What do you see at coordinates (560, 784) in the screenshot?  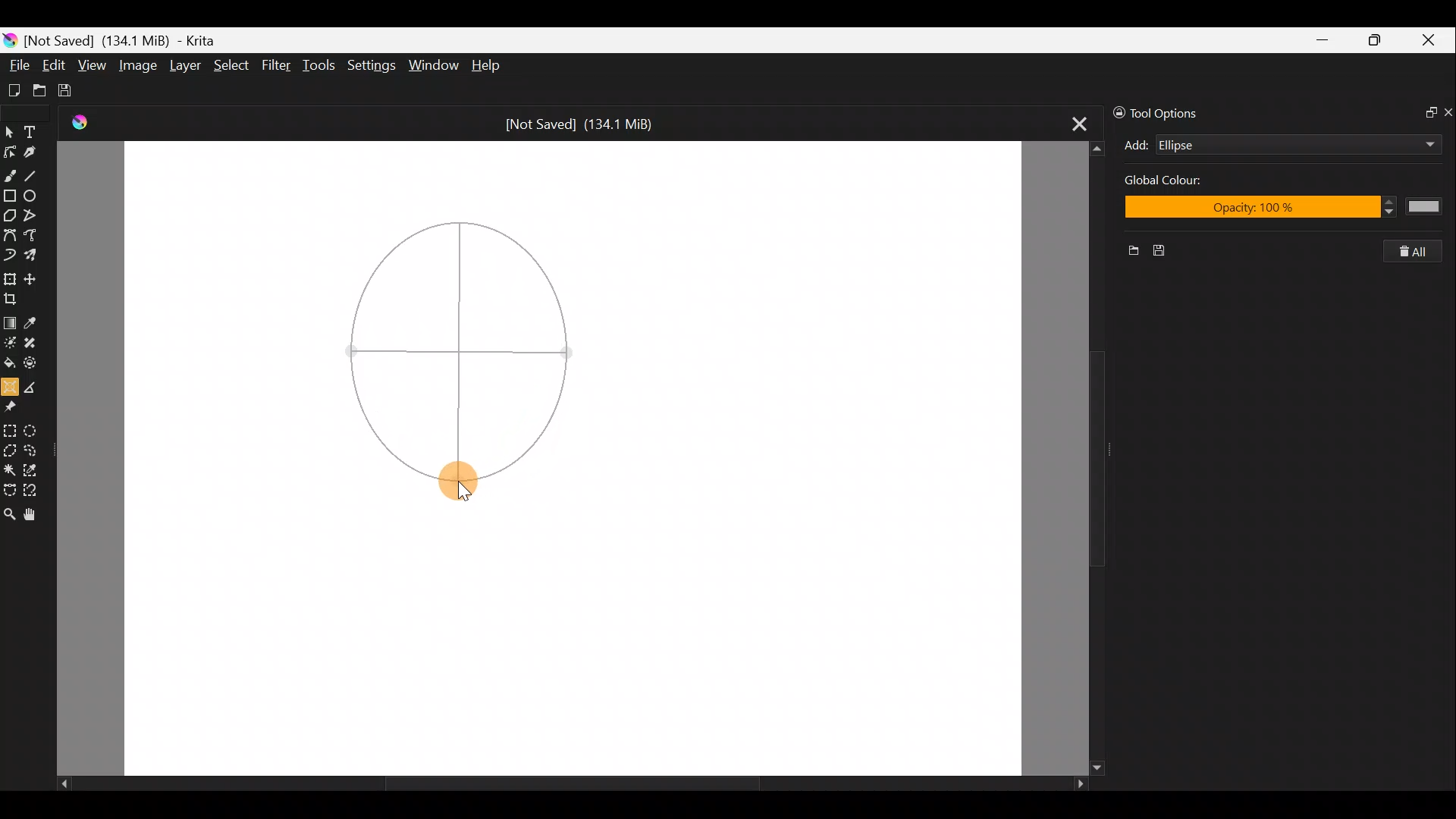 I see `Scroll bar` at bounding box center [560, 784].